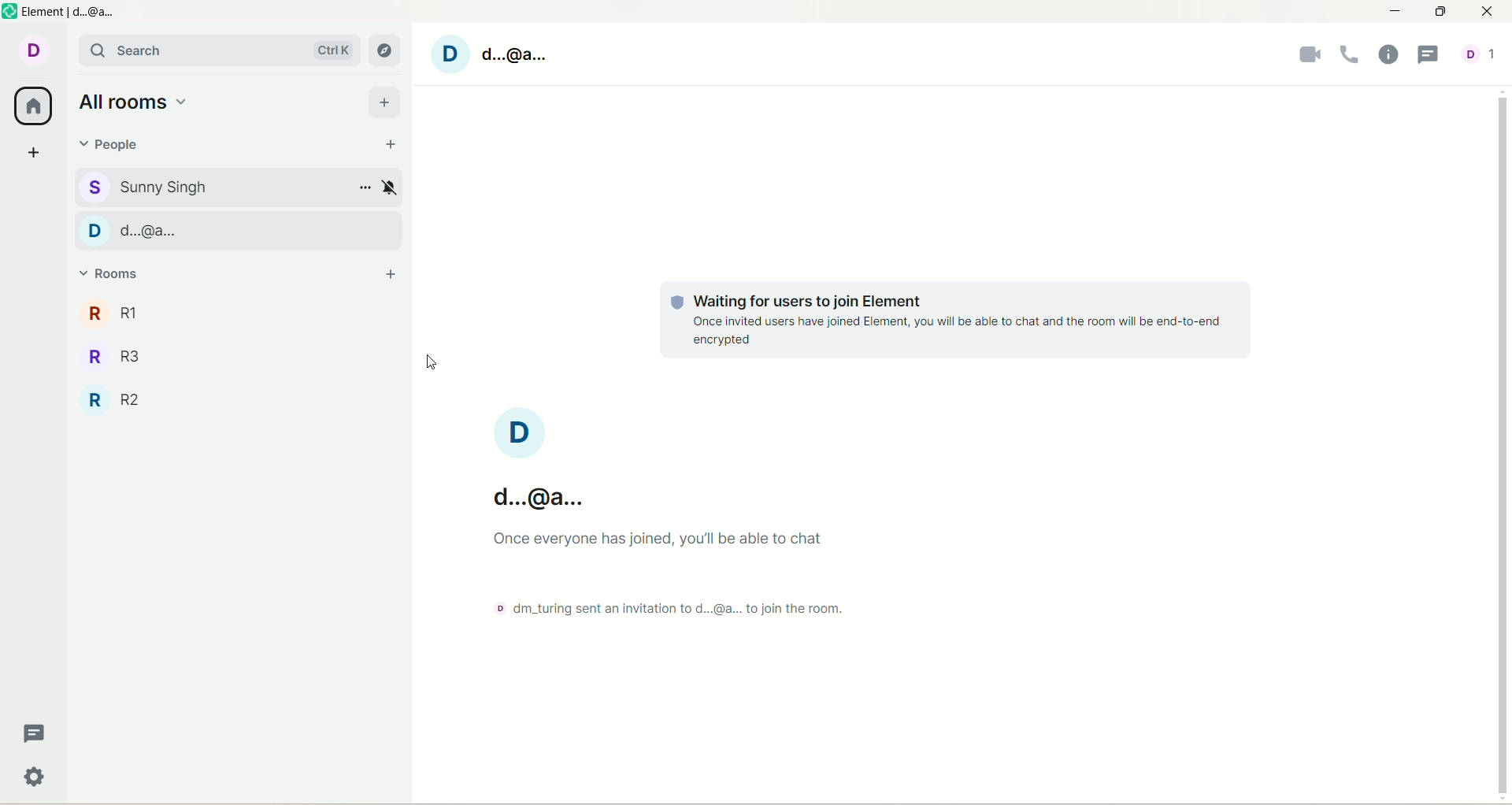 This screenshot has height=805, width=1512. I want to click on scroll down, so click(1503, 799).